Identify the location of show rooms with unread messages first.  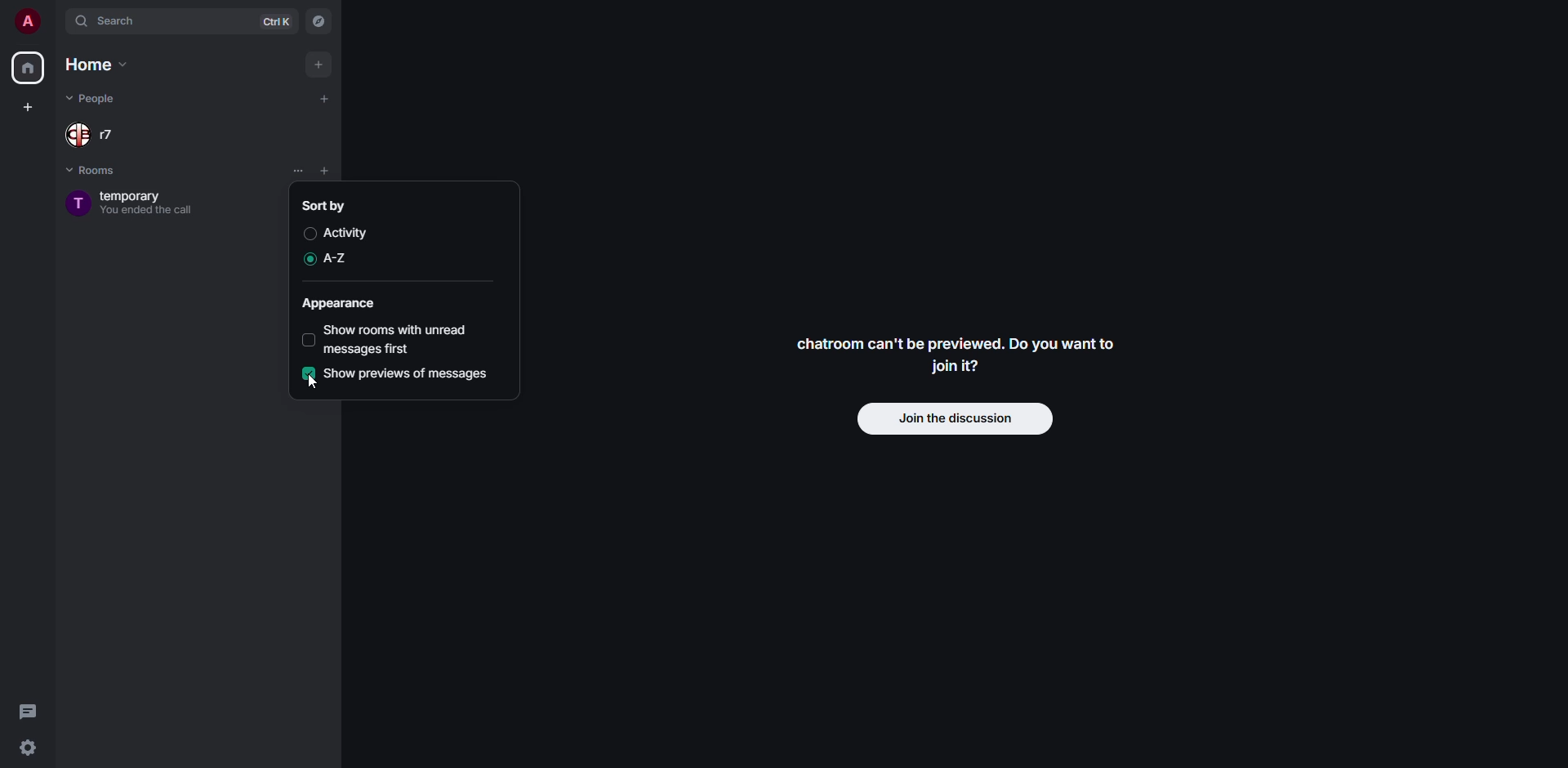
(402, 338).